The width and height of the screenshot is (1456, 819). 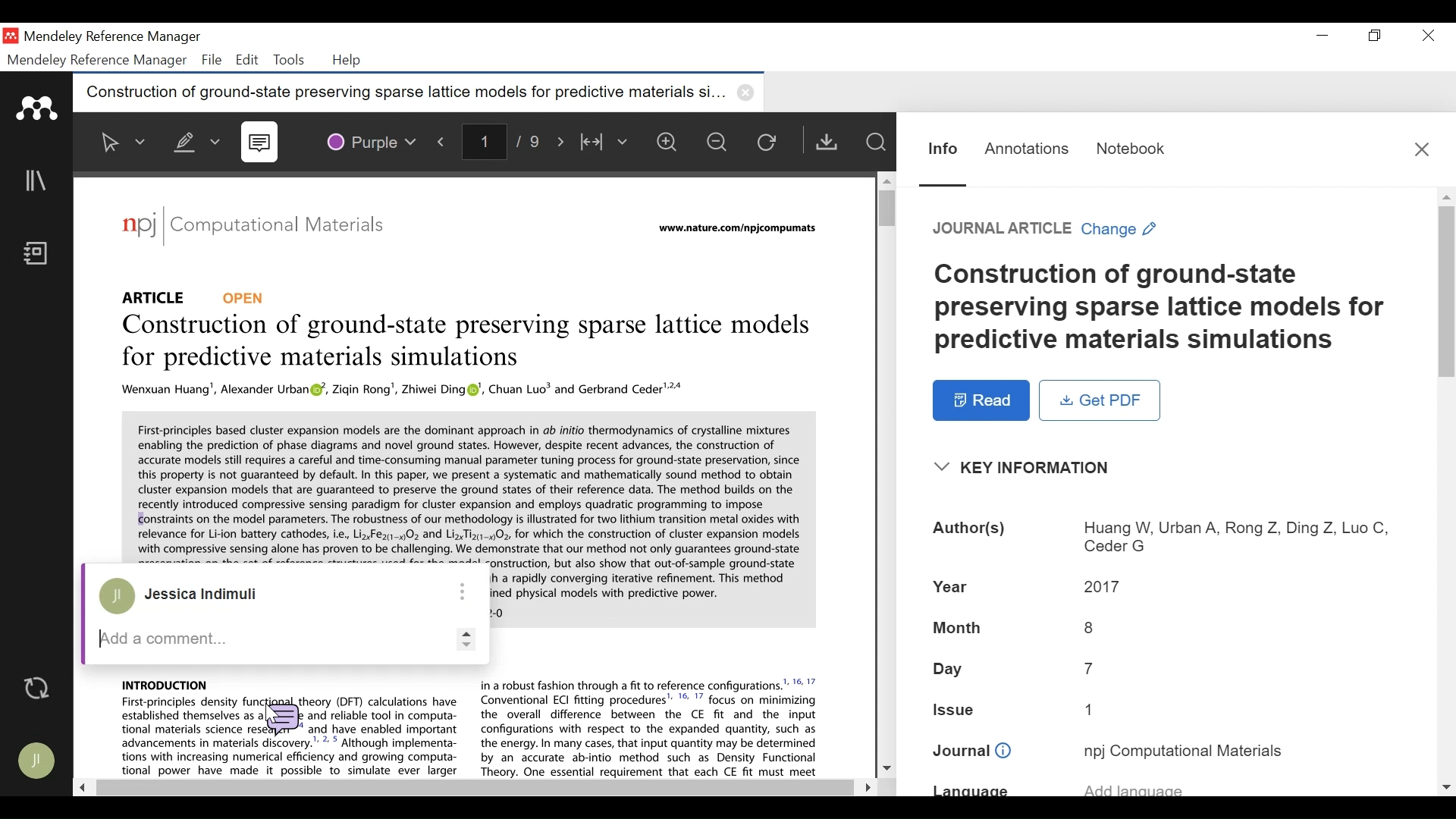 I want to click on Find in Files, so click(x=877, y=143).